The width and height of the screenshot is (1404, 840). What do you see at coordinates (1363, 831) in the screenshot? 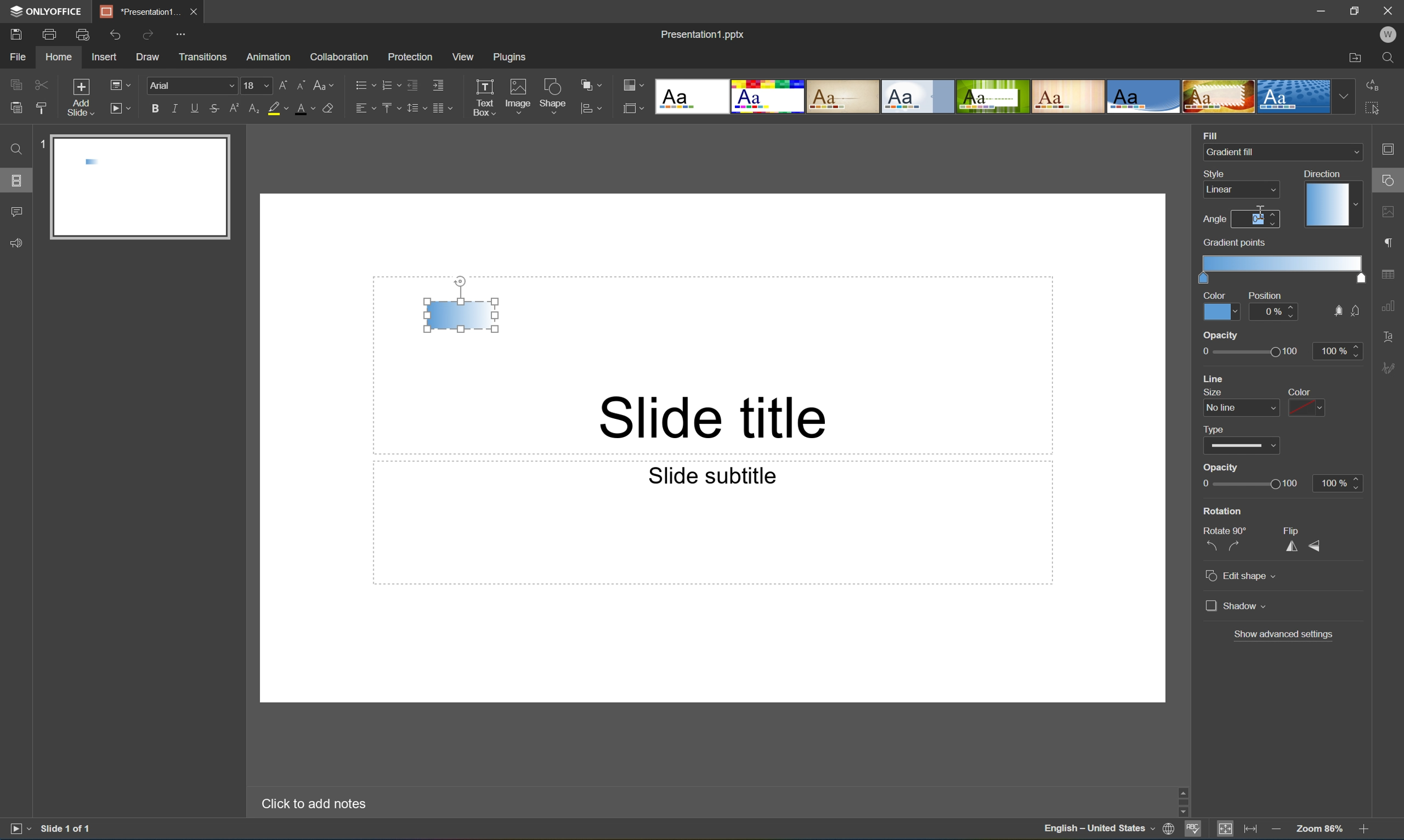
I see `Zoom In` at bounding box center [1363, 831].